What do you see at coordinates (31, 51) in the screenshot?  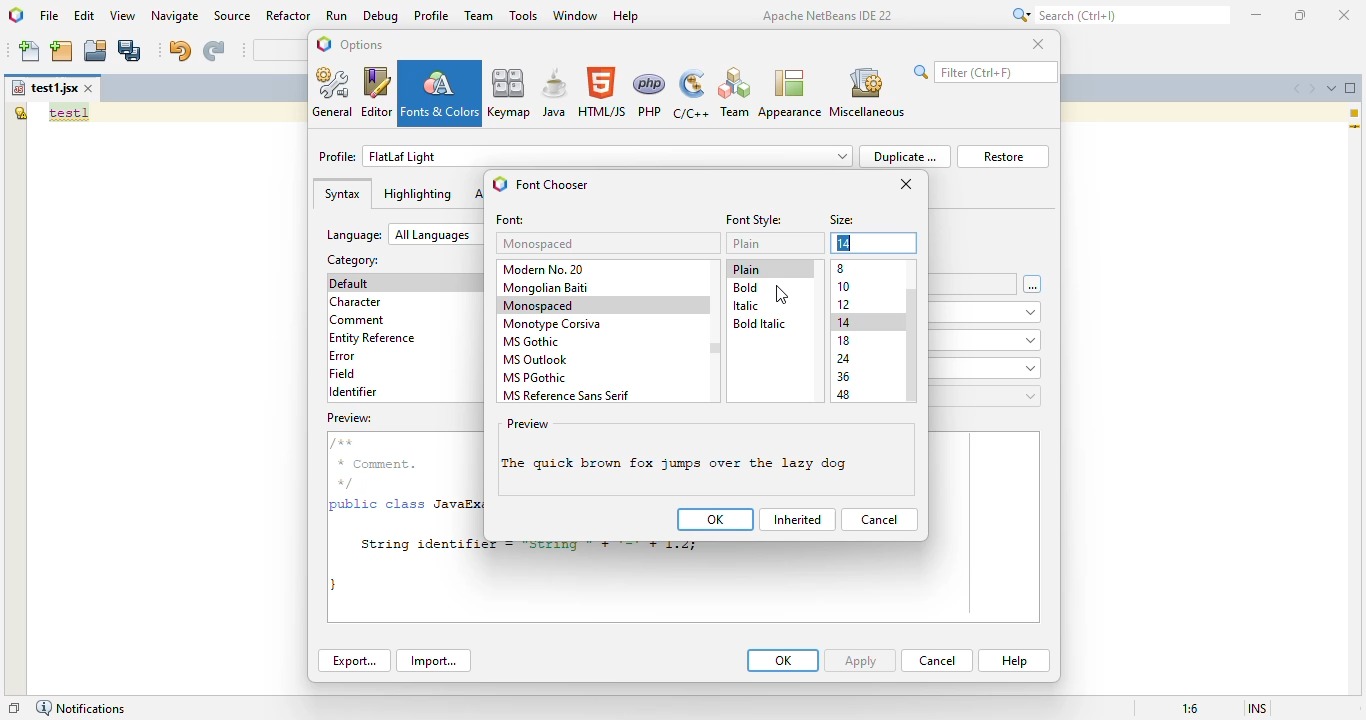 I see `new file` at bounding box center [31, 51].